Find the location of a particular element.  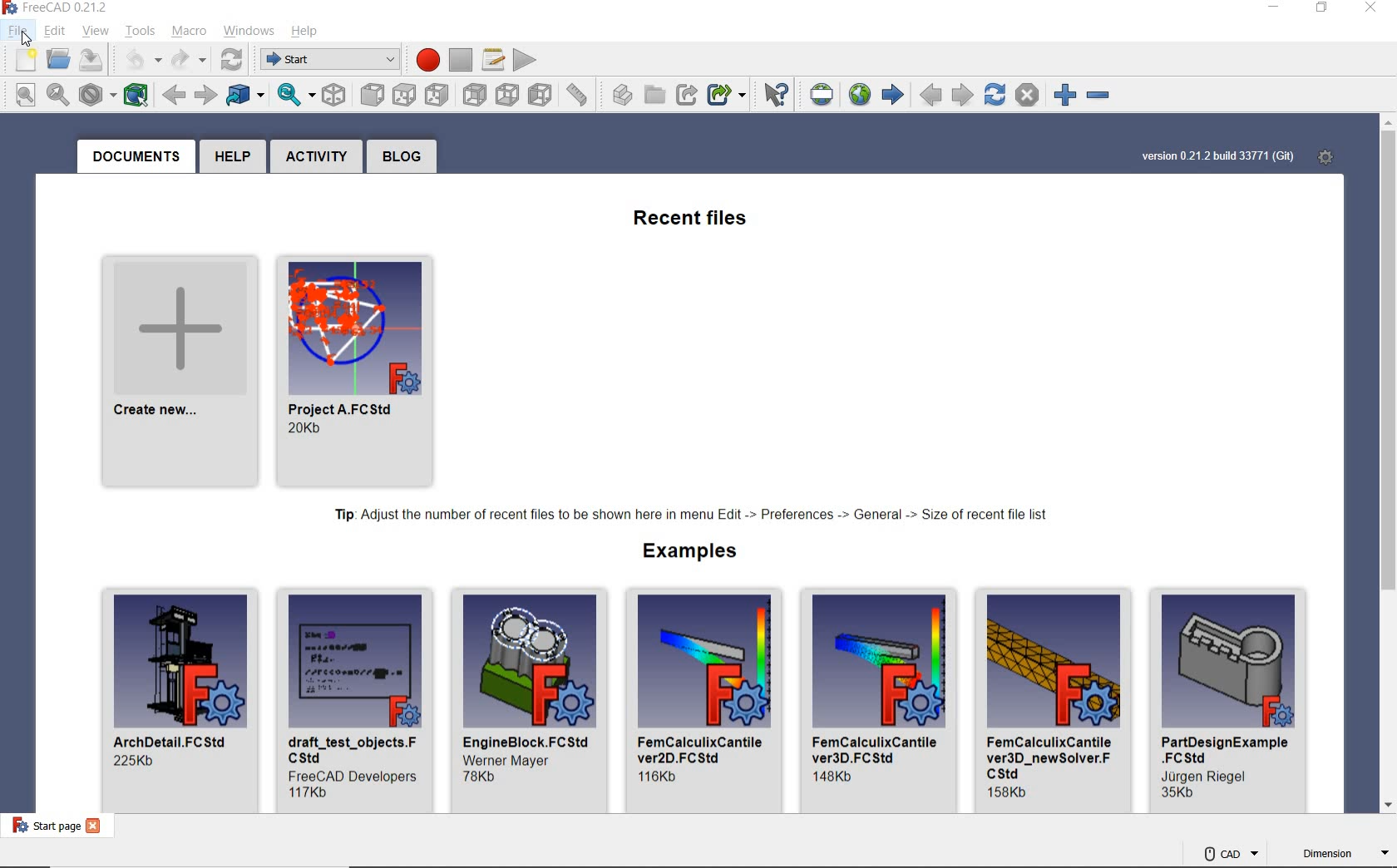

MEASURE DISTANCE is located at coordinates (580, 93).